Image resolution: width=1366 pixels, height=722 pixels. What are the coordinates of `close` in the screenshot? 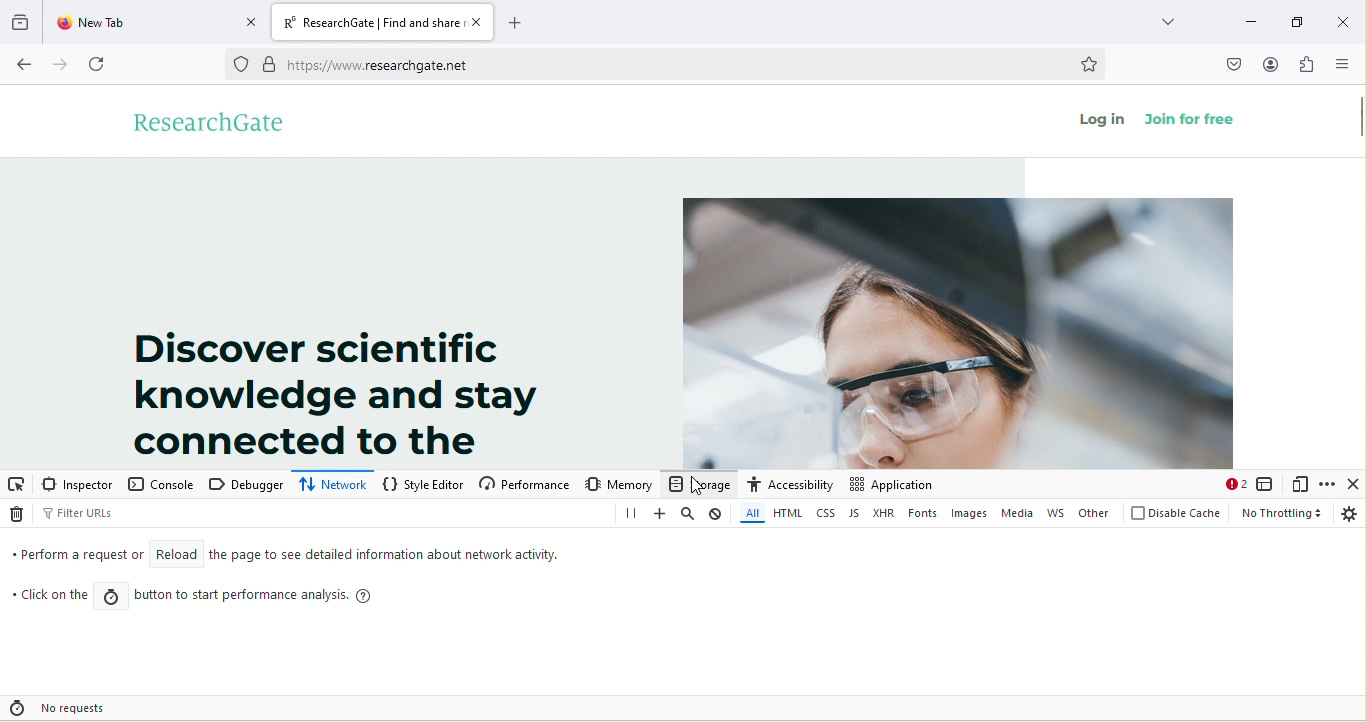 It's located at (1345, 22).